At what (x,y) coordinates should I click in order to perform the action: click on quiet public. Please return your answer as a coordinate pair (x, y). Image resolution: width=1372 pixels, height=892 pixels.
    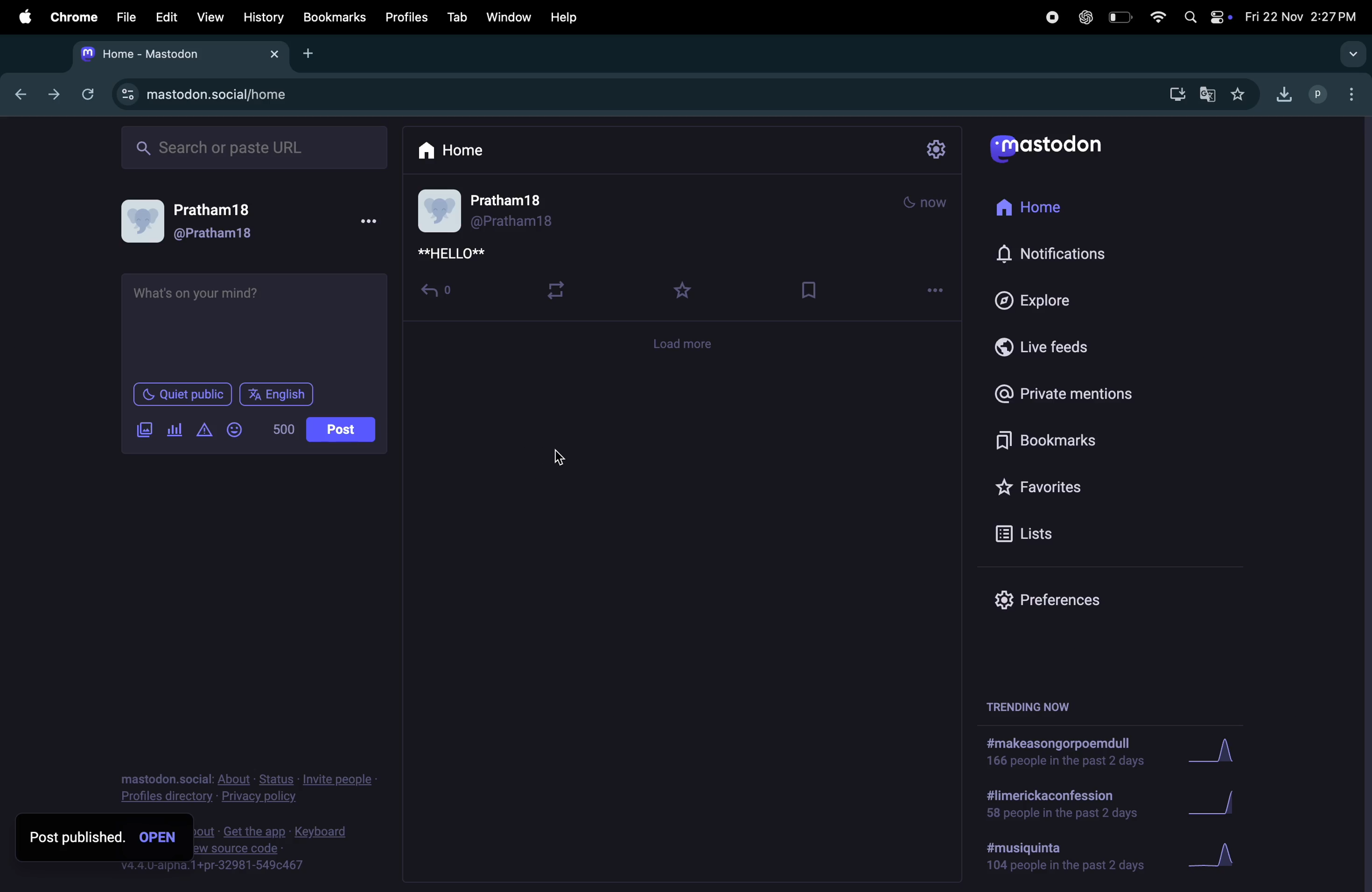
    Looking at the image, I should click on (183, 395).